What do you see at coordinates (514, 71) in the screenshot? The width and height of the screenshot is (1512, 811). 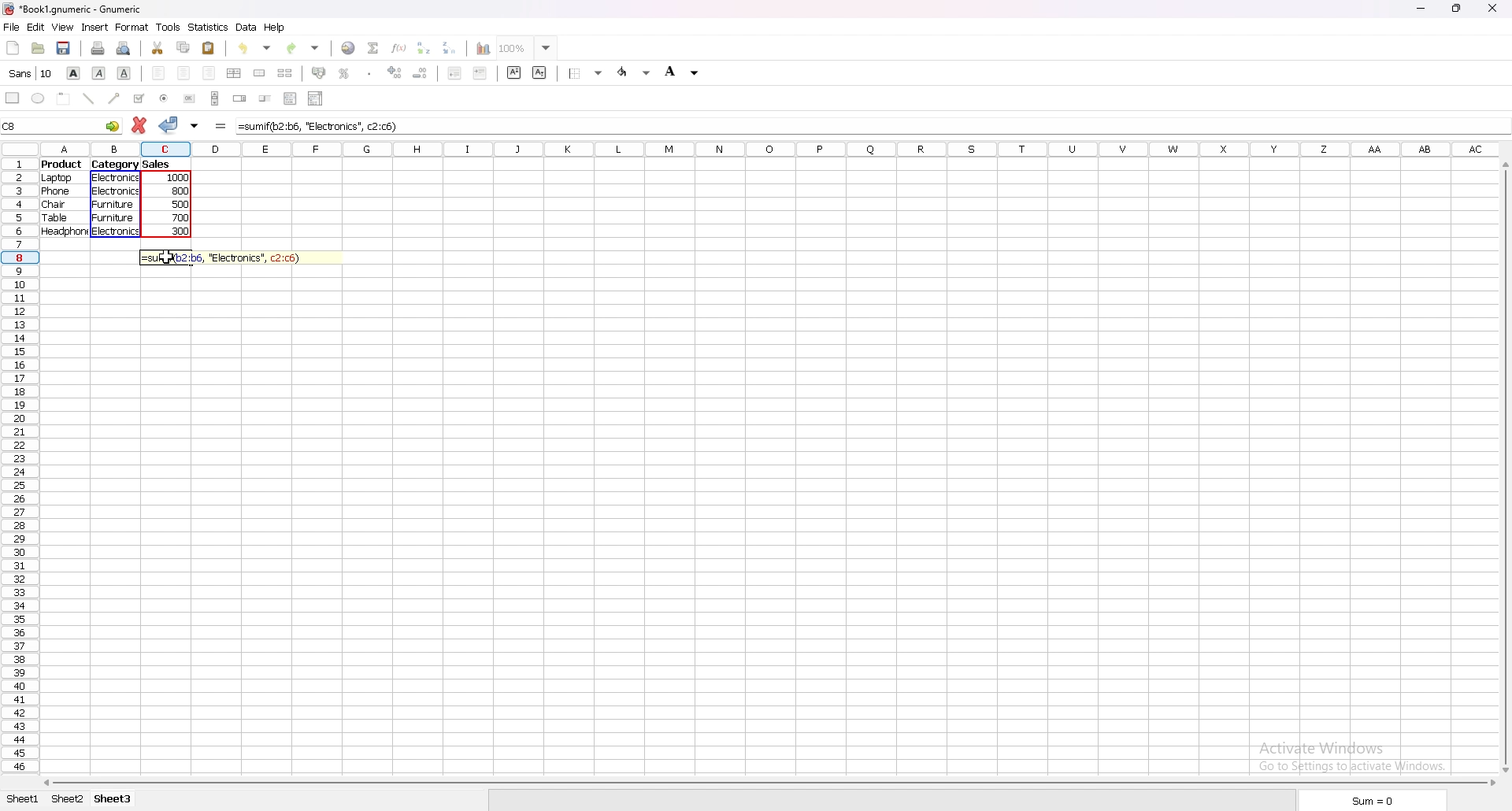 I see `superscript` at bounding box center [514, 71].